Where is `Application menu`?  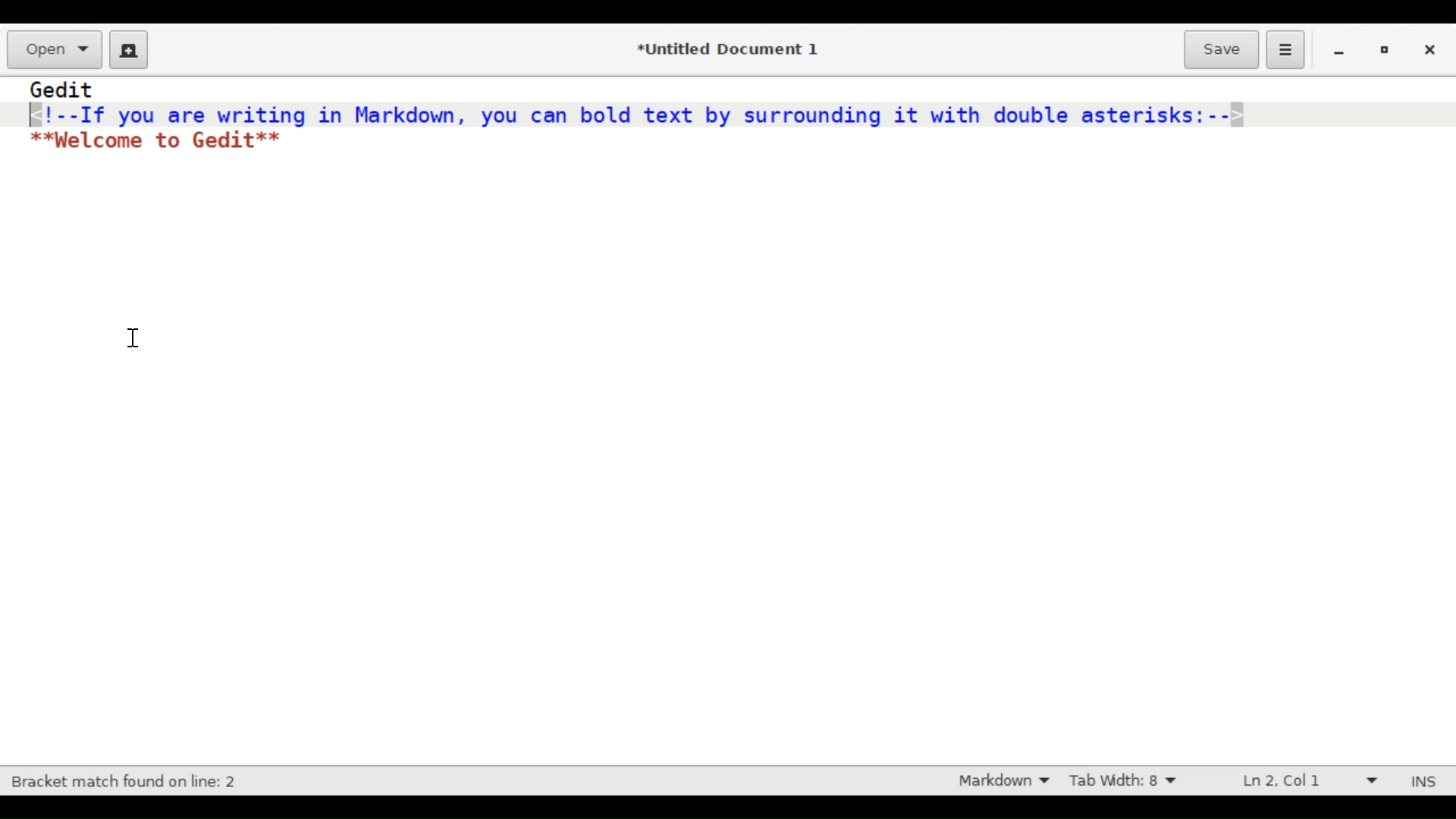 Application menu is located at coordinates (1285, 49).